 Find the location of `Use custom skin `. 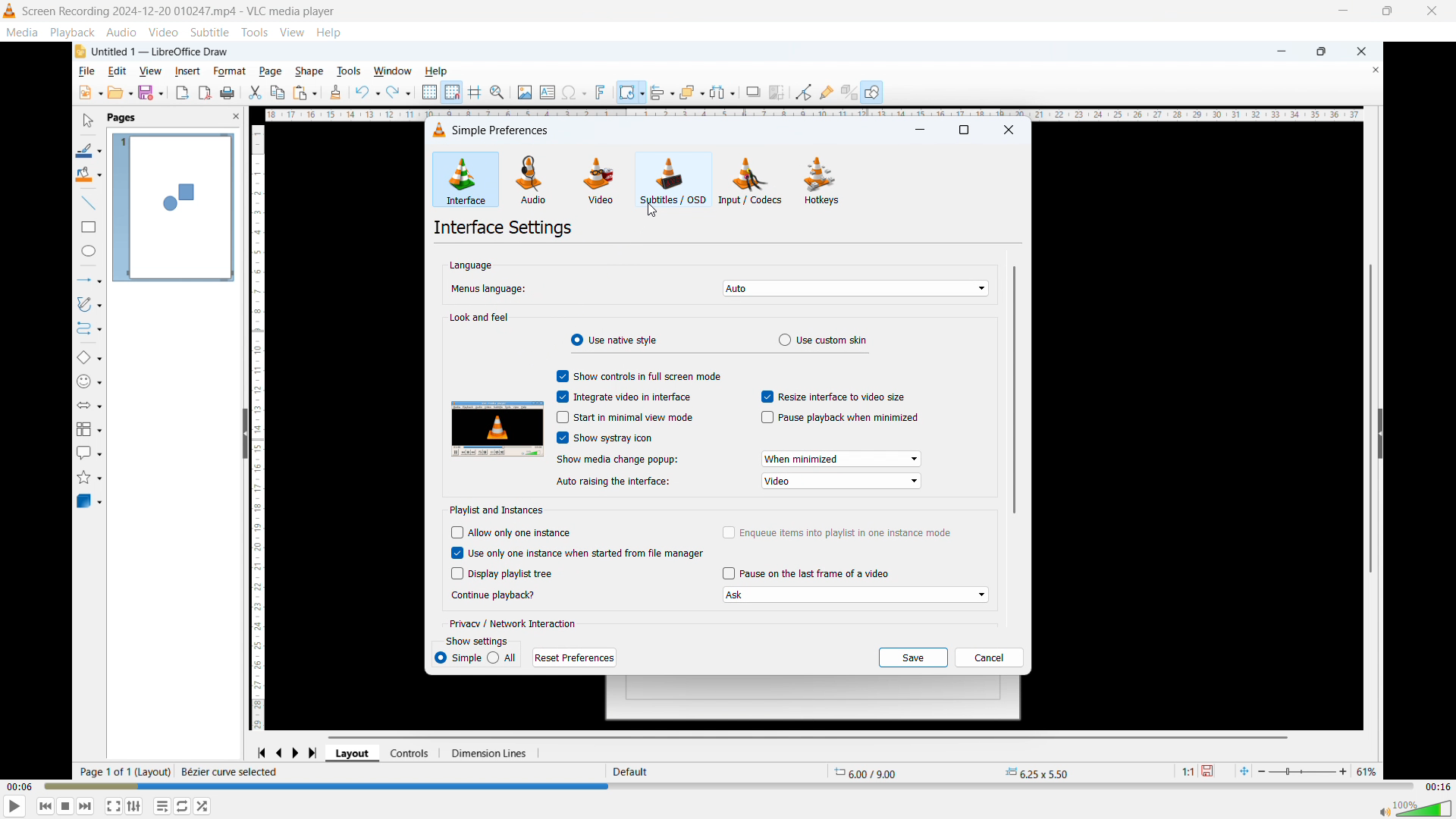

Use custom skin  is located at coordinates (824, 340).